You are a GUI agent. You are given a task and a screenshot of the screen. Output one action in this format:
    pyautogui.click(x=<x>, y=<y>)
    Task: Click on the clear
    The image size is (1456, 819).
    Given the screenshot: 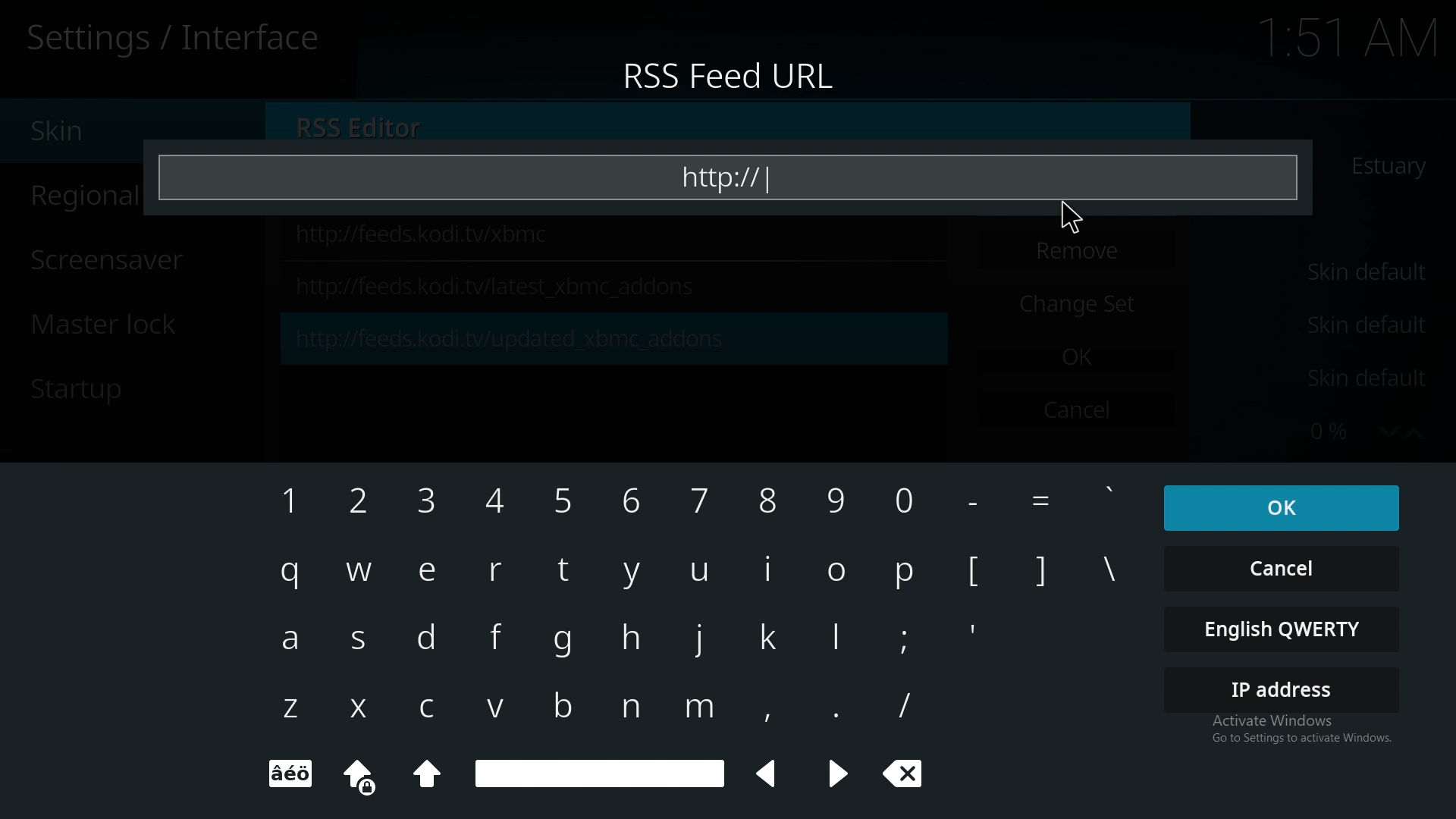 What is the action you would take?
    pyautogui.click(x=904, y=773)
    